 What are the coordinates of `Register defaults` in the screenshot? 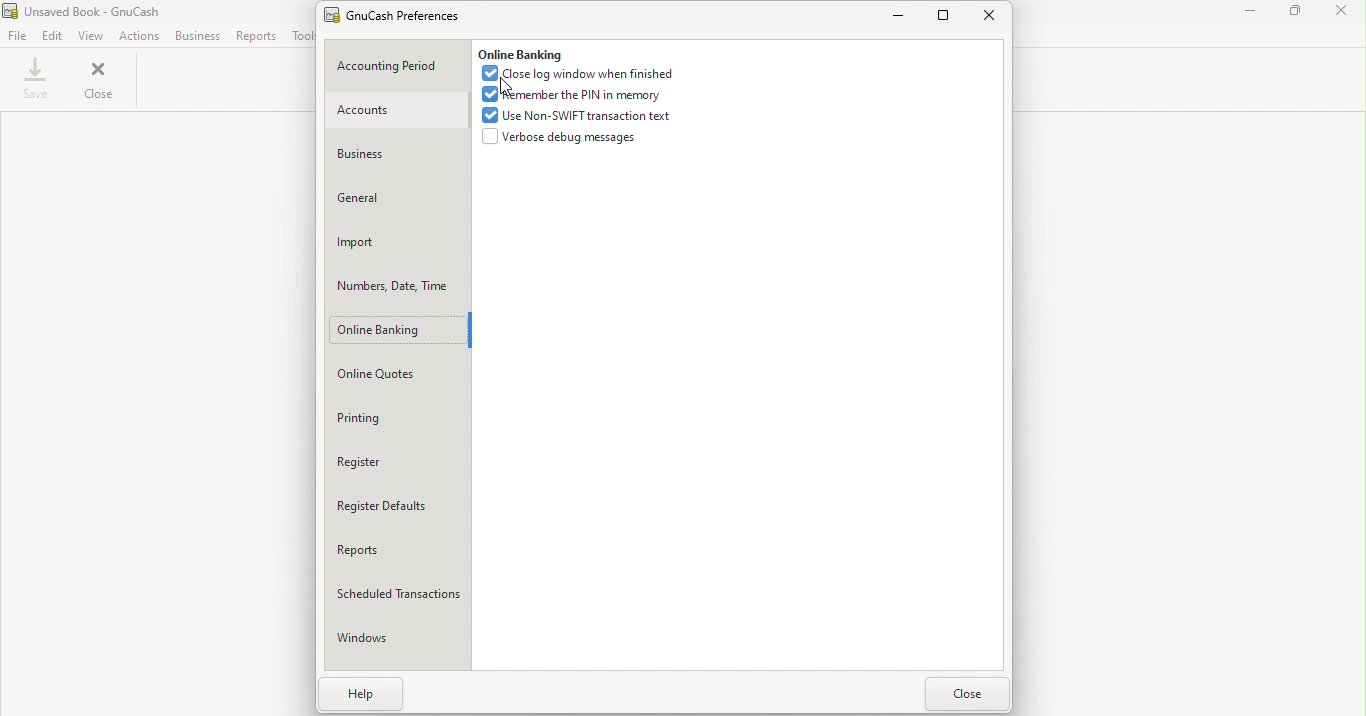 It's located at (399, 508).